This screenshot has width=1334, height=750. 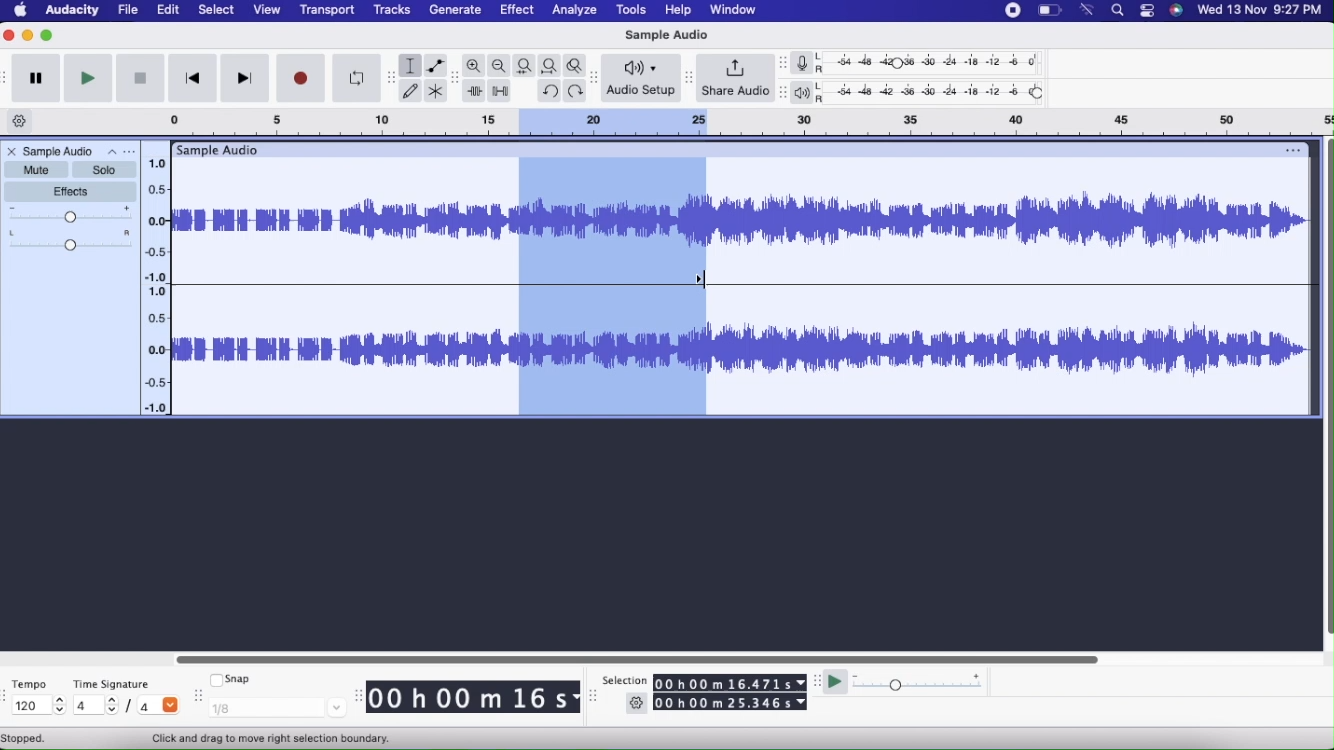 What do you see at coordinates (732, 703) in the screenshot?
I see `00 h 00 m 25.346 s` at bounding box center [732, 703].